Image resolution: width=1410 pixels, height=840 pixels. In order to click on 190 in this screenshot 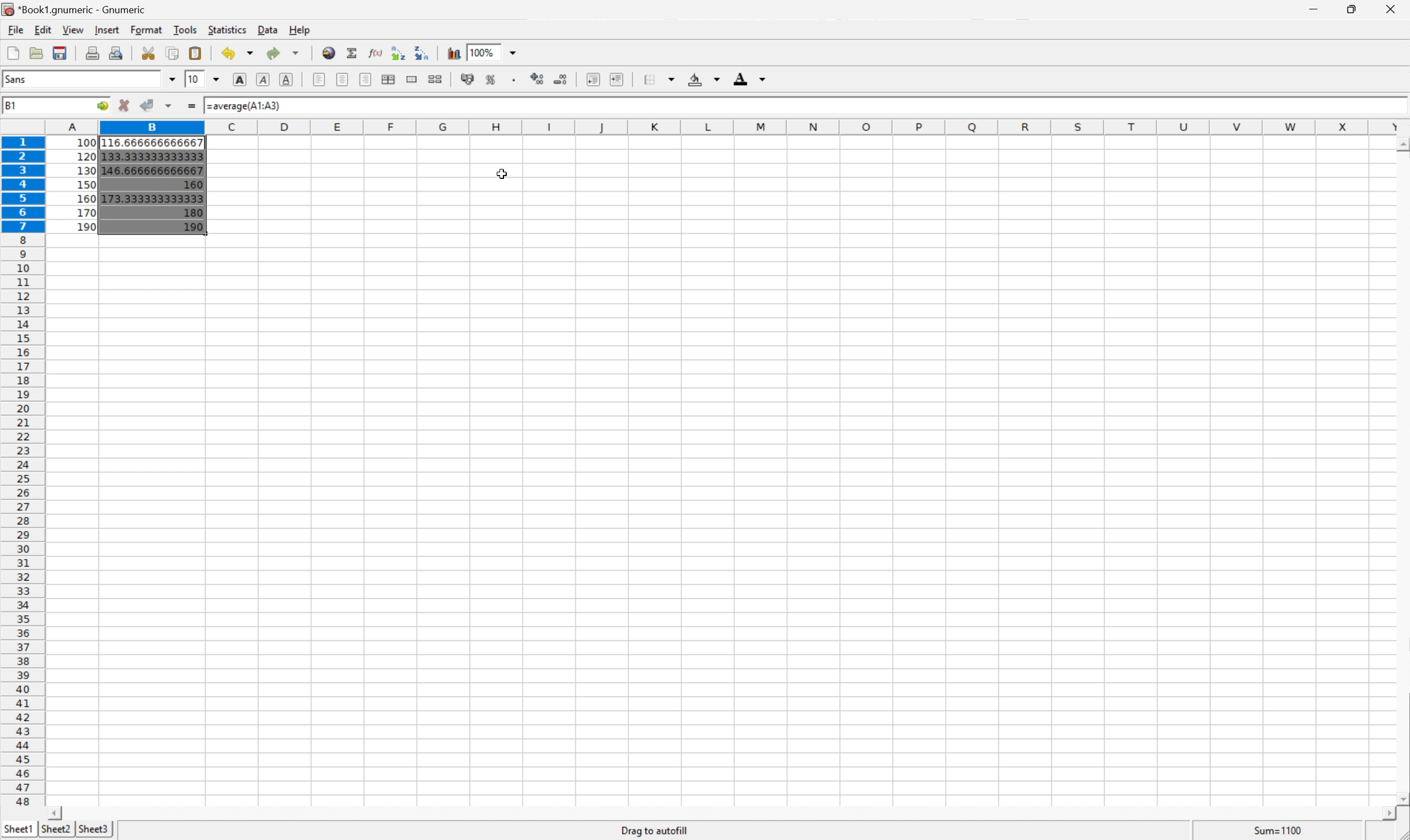, I will do `click(87, 226)`.